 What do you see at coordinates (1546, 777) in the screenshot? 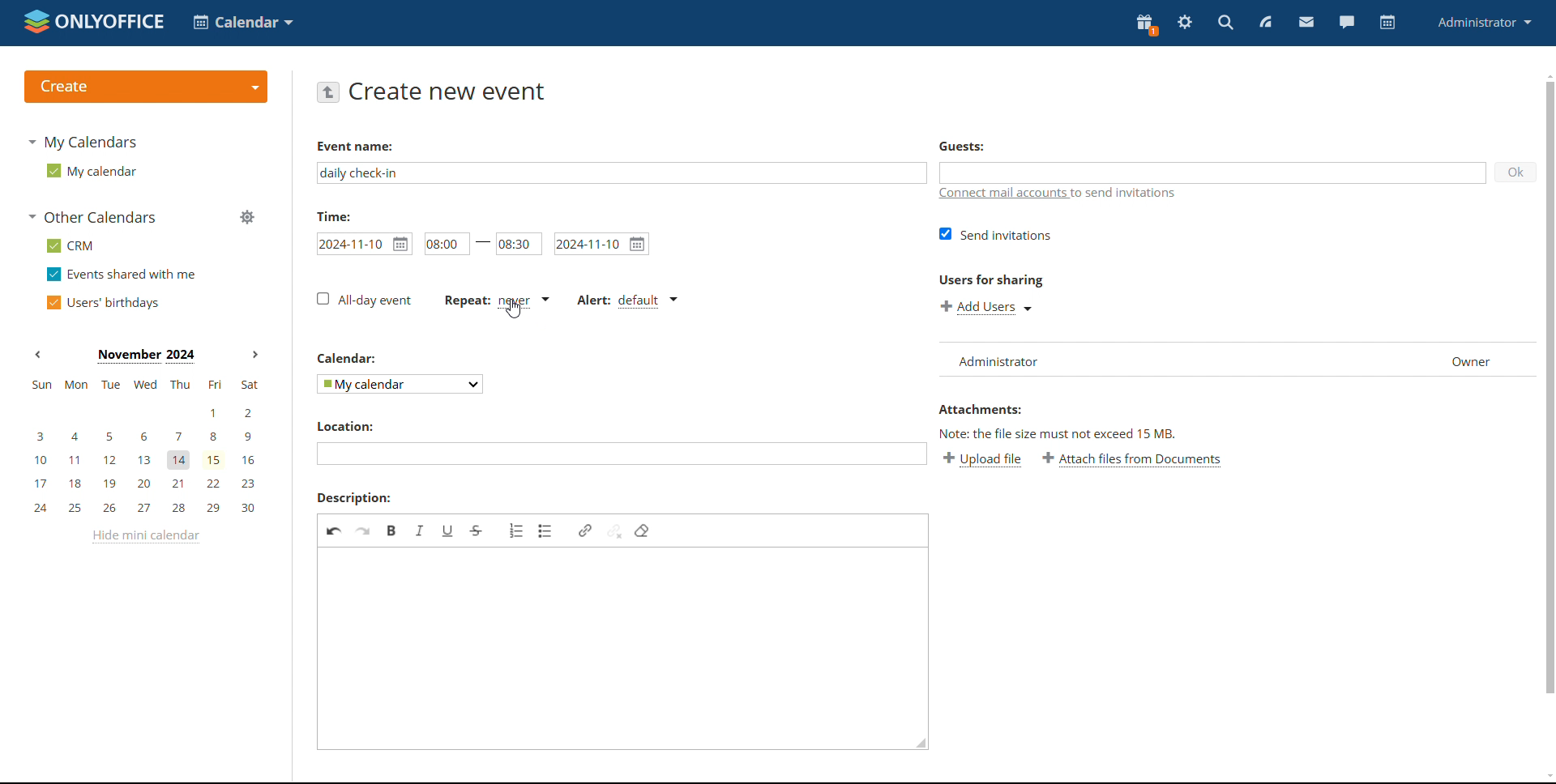
I see `scroll down` at bounding box center [1546, 777].